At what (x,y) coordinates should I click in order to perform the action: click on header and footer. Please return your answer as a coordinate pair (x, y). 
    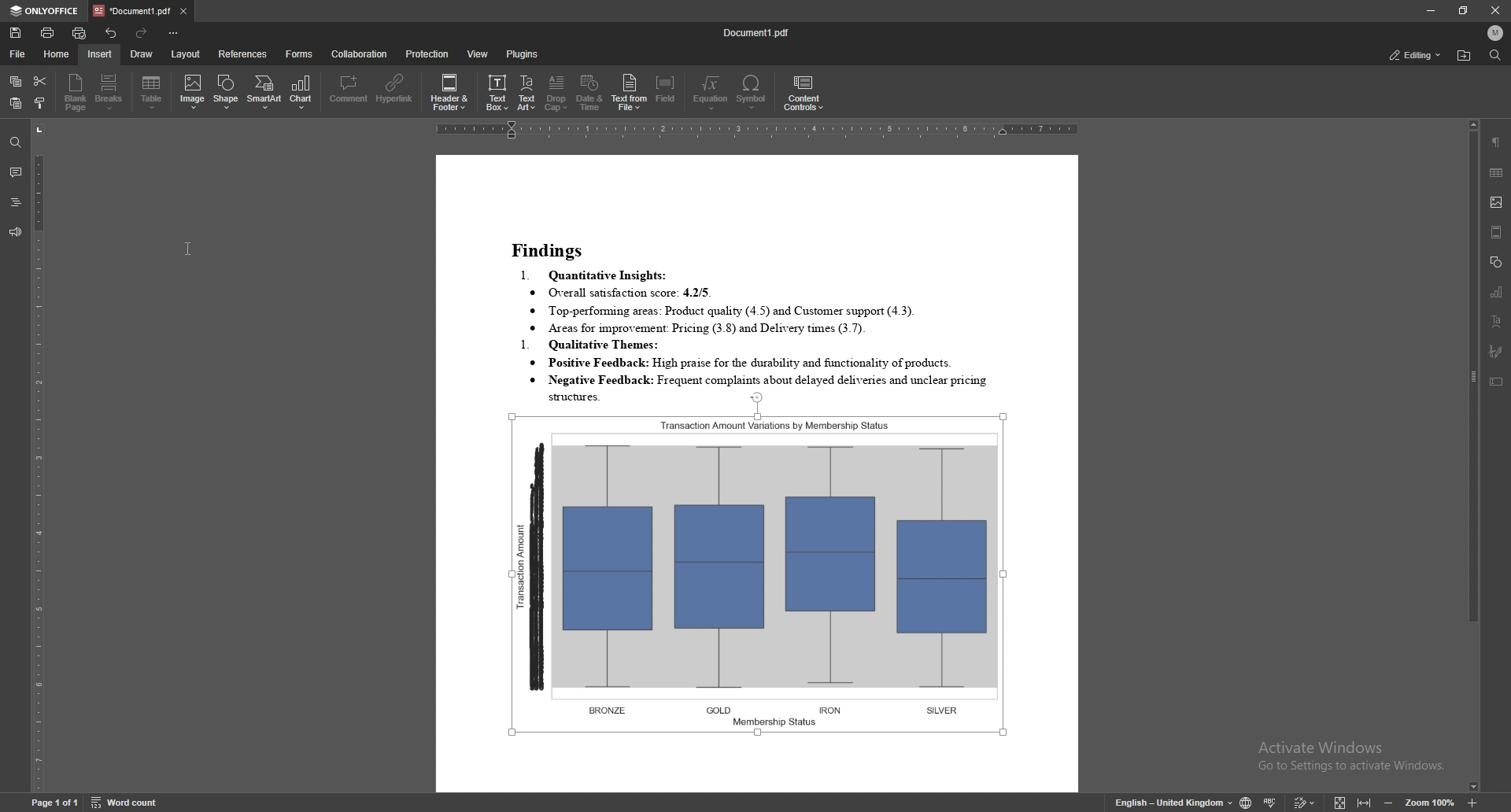
    Looking at the image, I should click on (450, 93).